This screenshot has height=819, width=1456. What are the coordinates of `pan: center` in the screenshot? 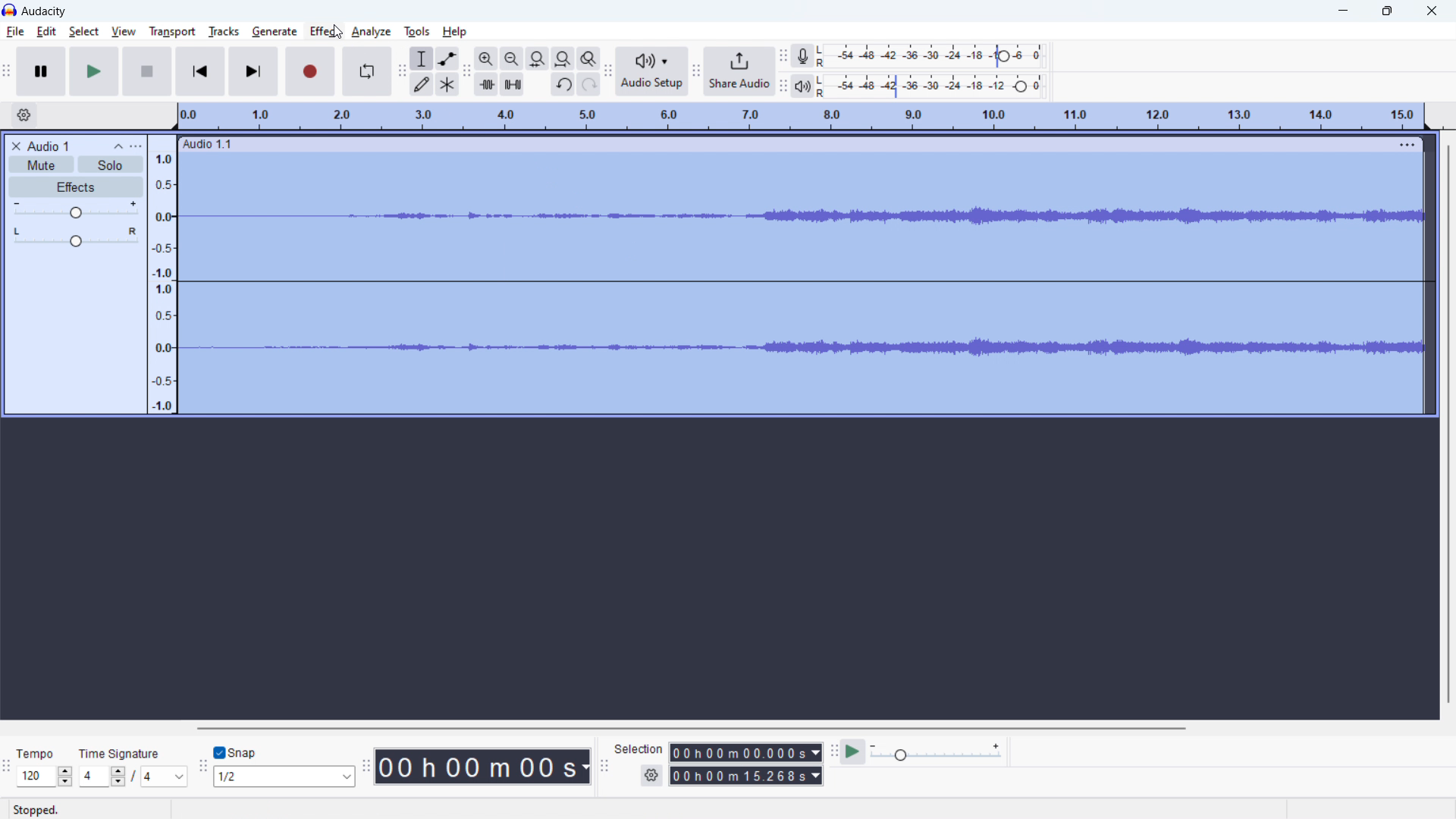 It's located at (76, 237).